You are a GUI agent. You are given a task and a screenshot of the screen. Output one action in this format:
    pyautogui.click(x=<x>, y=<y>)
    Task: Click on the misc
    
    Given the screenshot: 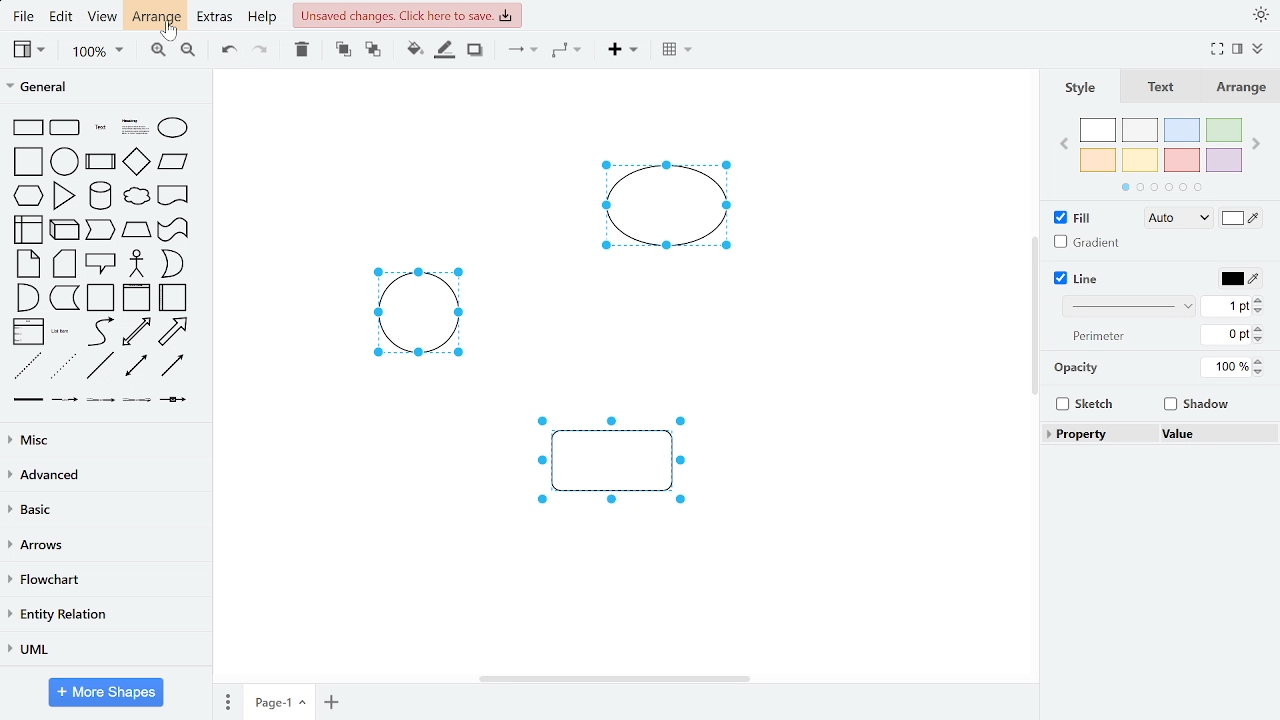 What is the action you would take?
    pyautogui.click(x=102, y=440)
    